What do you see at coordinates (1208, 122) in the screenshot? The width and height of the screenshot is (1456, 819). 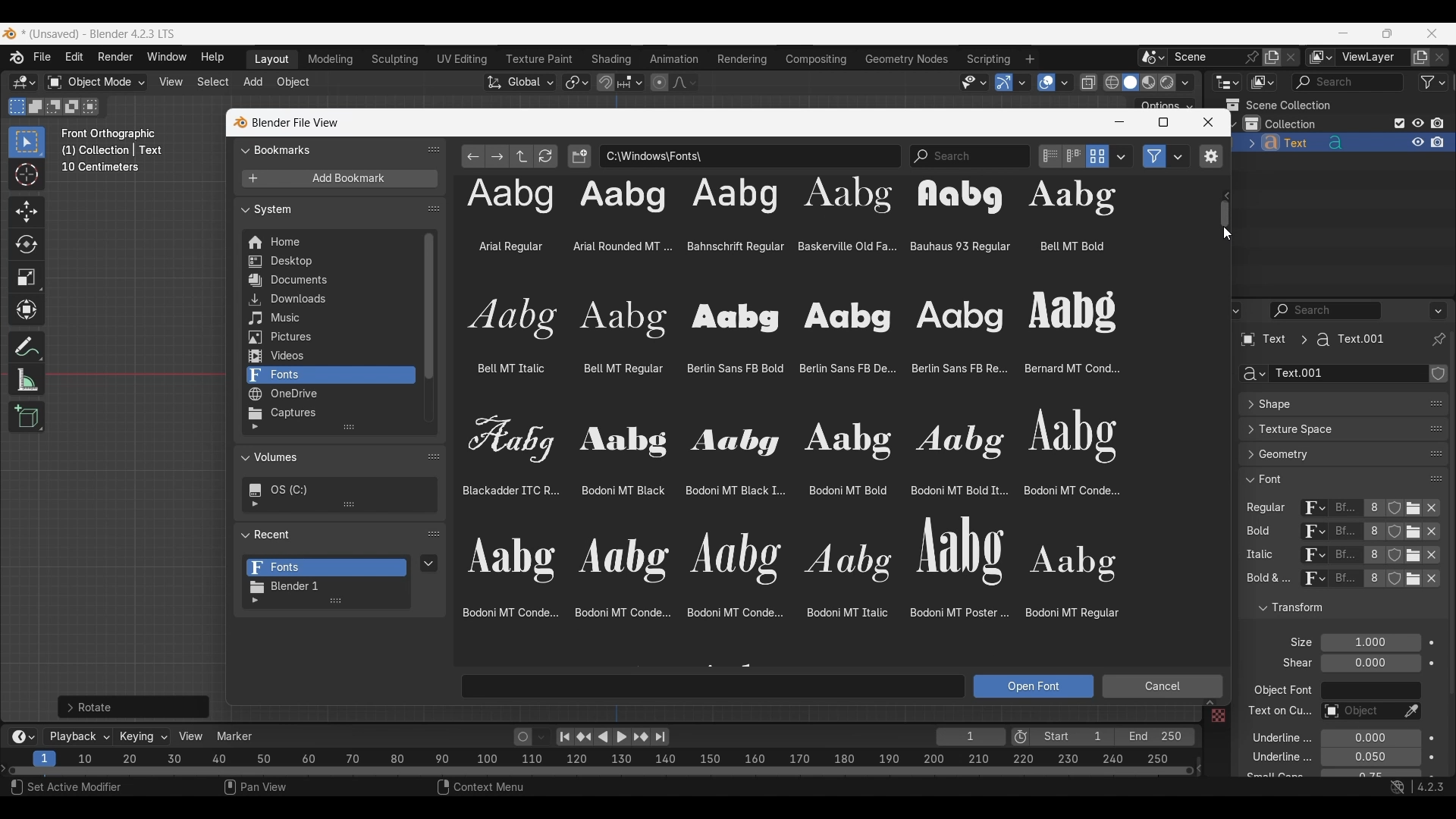 I see `Close window` at bounding box center [1208, 122].